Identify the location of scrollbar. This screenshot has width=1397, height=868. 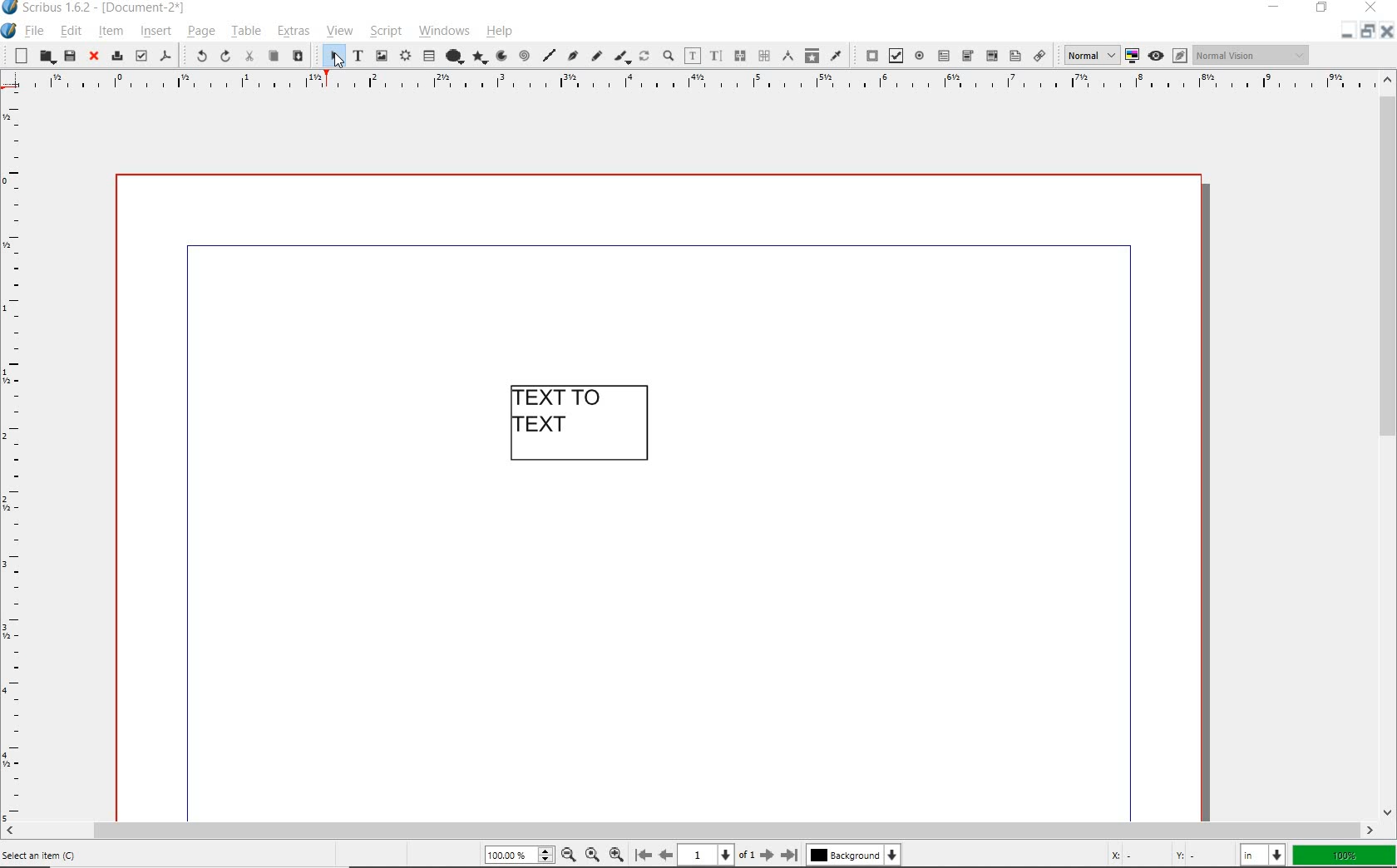
(689, 831).